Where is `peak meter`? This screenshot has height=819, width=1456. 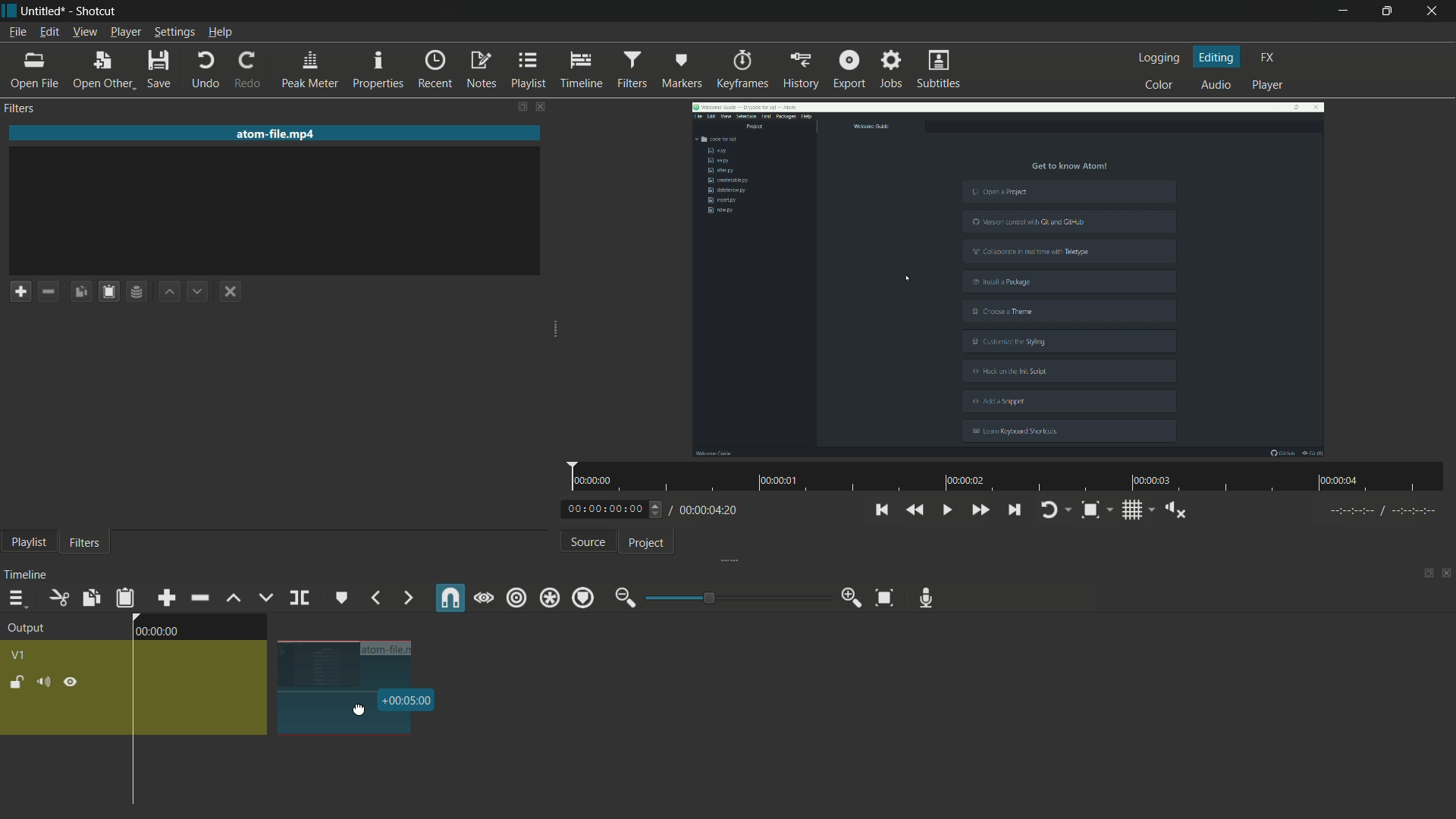 peak meter is located at coordinates (308, 69).